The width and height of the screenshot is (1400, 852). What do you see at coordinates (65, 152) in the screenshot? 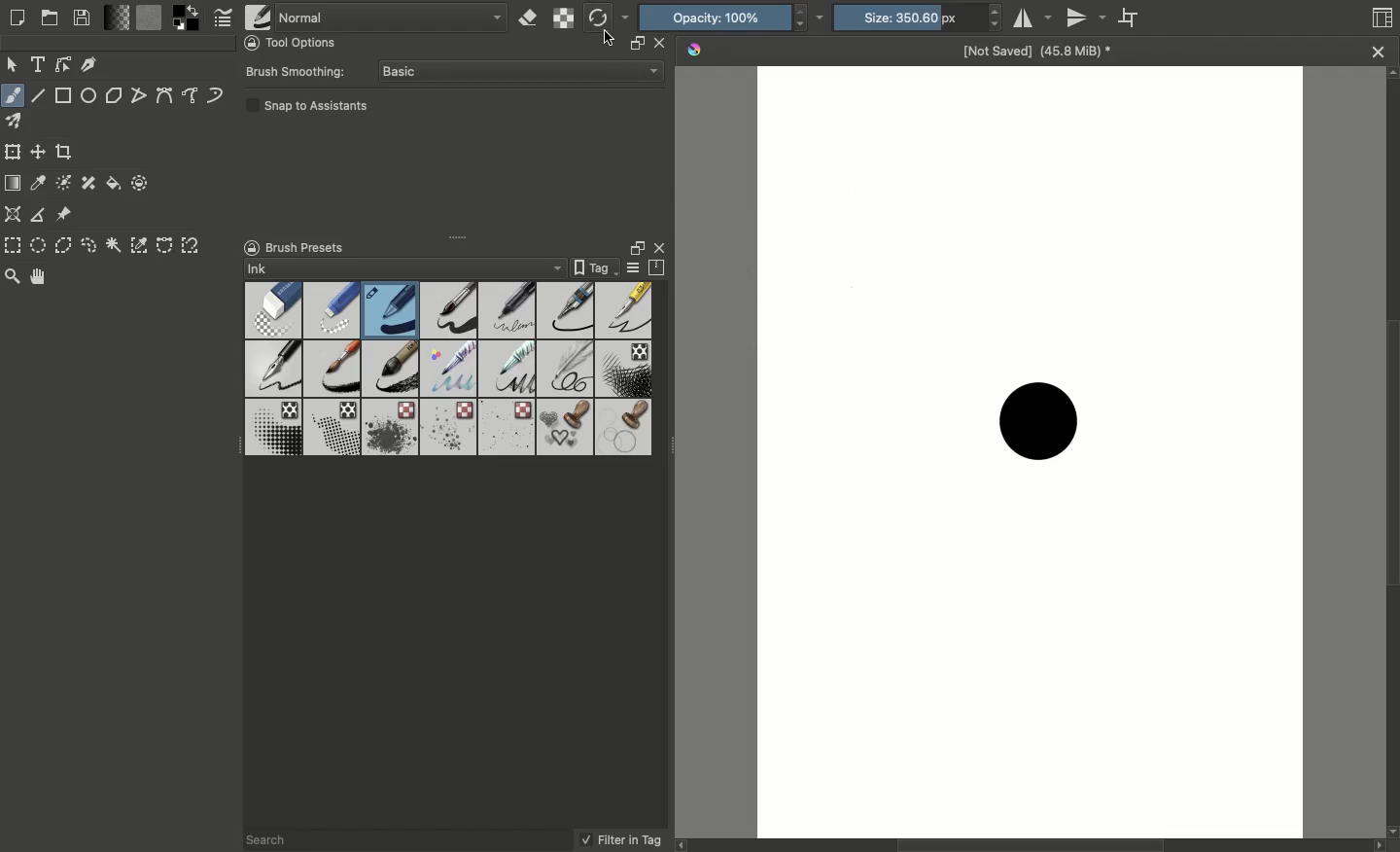
I see `Crop` at bounding box center [65, 152].